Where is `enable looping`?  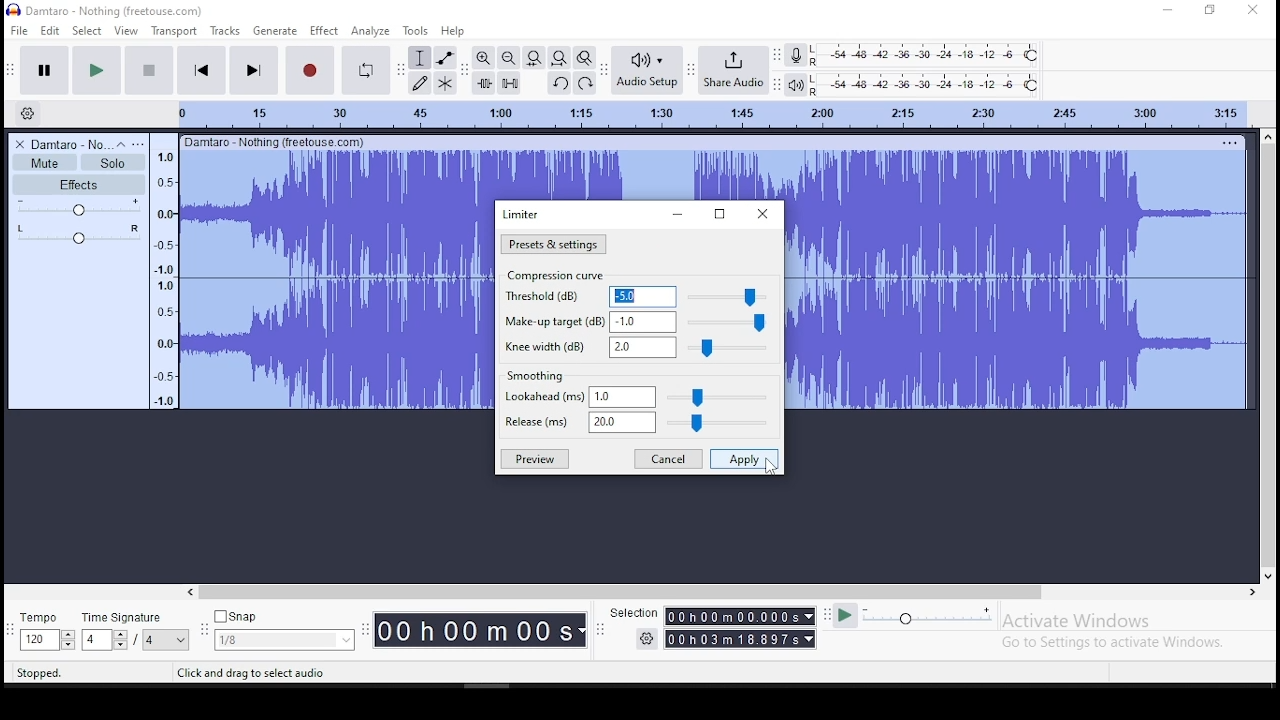 enable looping is located at coordinates (366, 71).